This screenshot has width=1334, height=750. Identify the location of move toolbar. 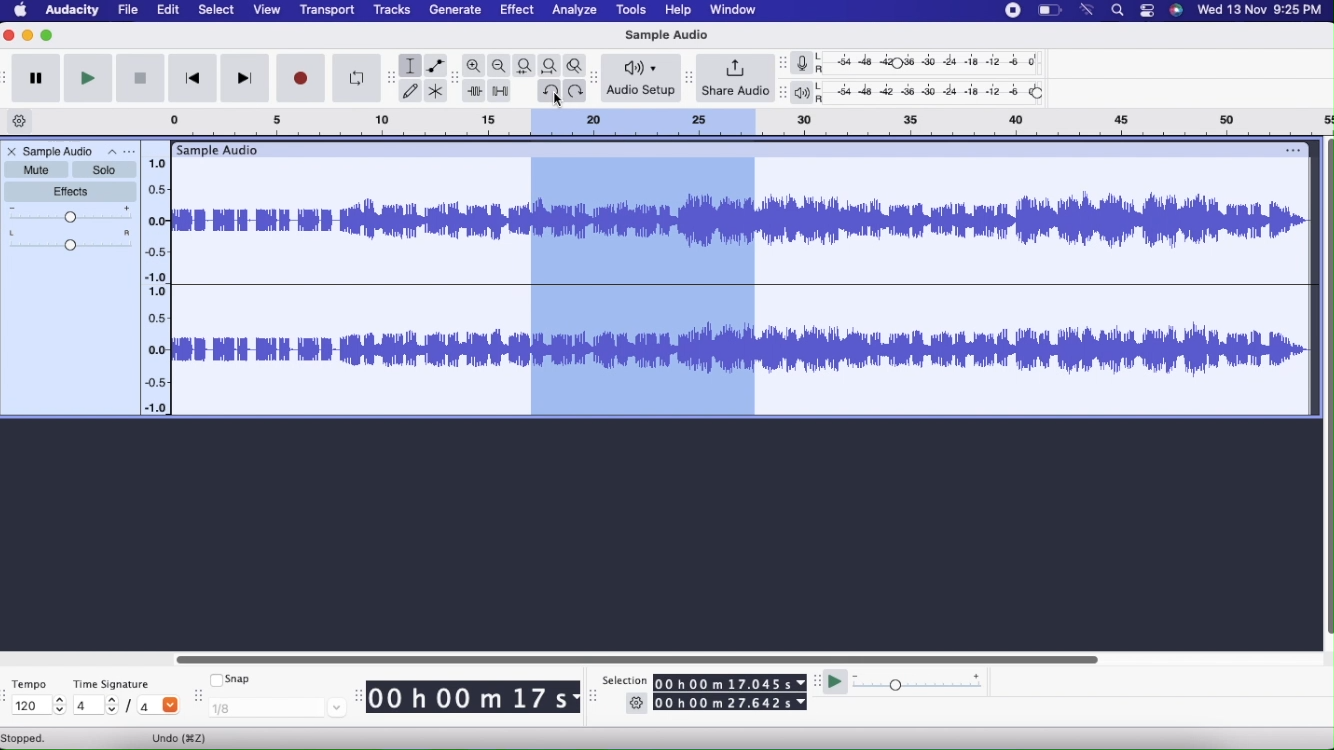
(391, 77).